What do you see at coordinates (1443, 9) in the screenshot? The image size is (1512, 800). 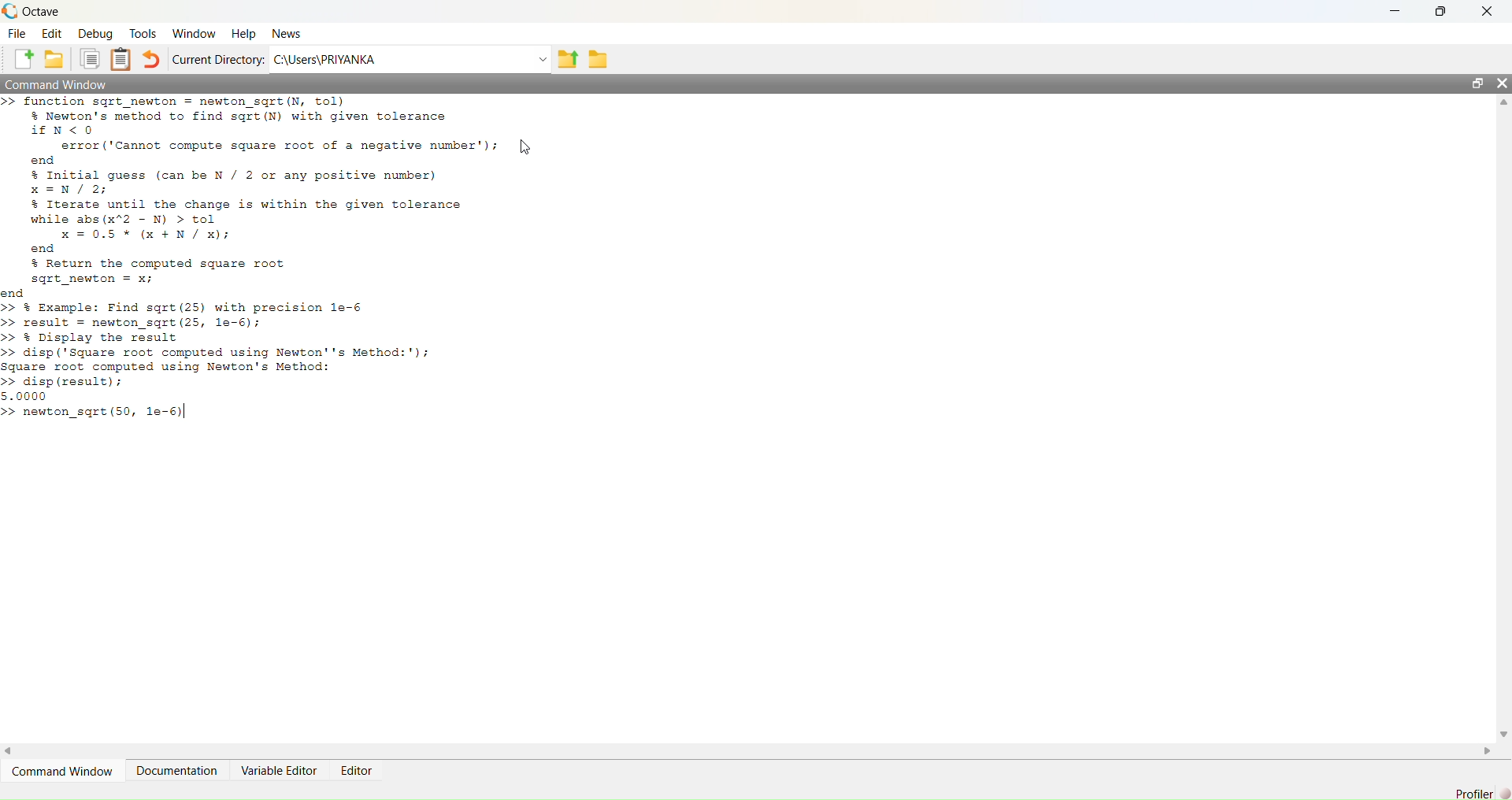 I see `Maximize` at bounding box center [1443, 9].